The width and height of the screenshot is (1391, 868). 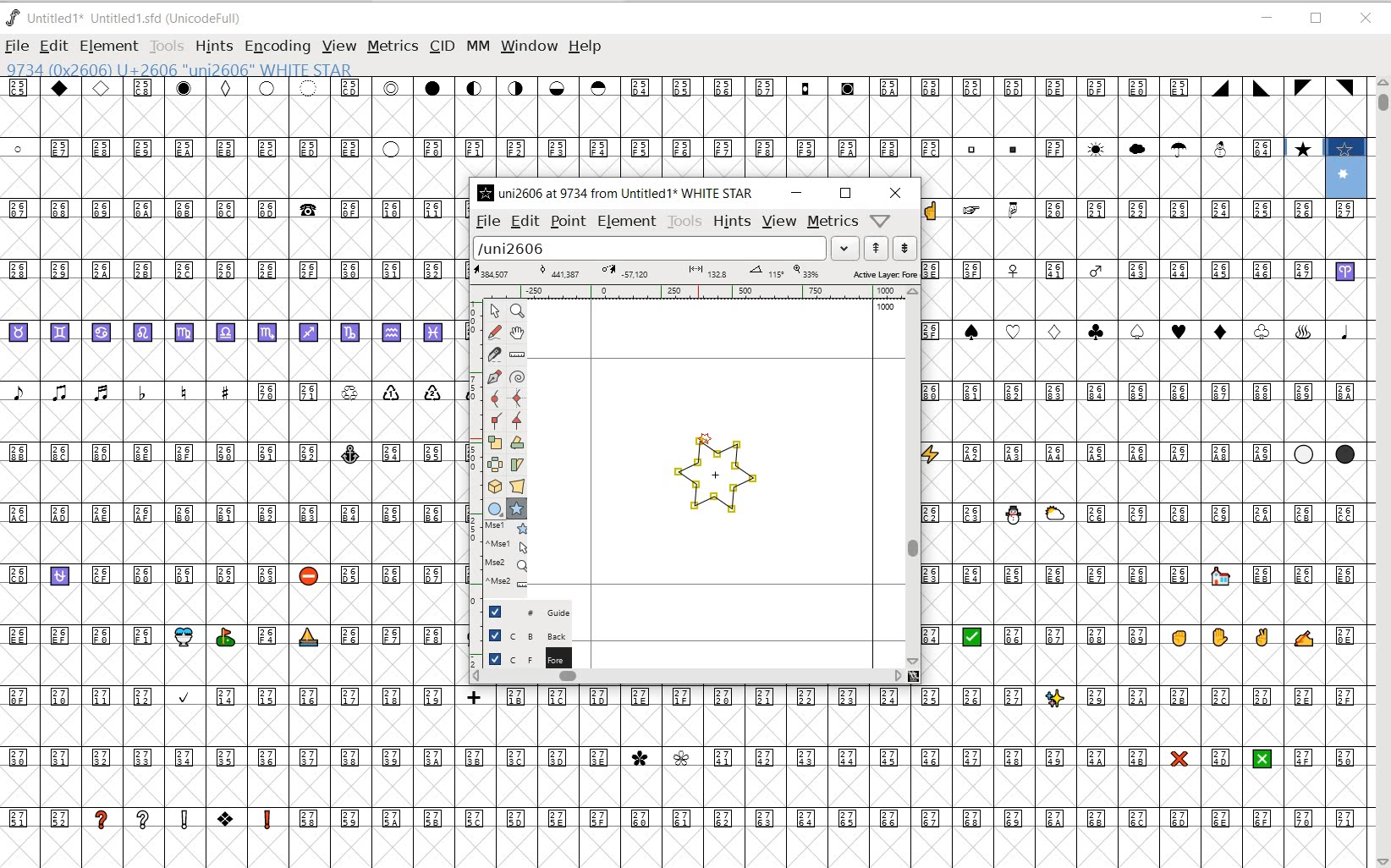 I want to click on WINDOW, so click(x=528, y=46).